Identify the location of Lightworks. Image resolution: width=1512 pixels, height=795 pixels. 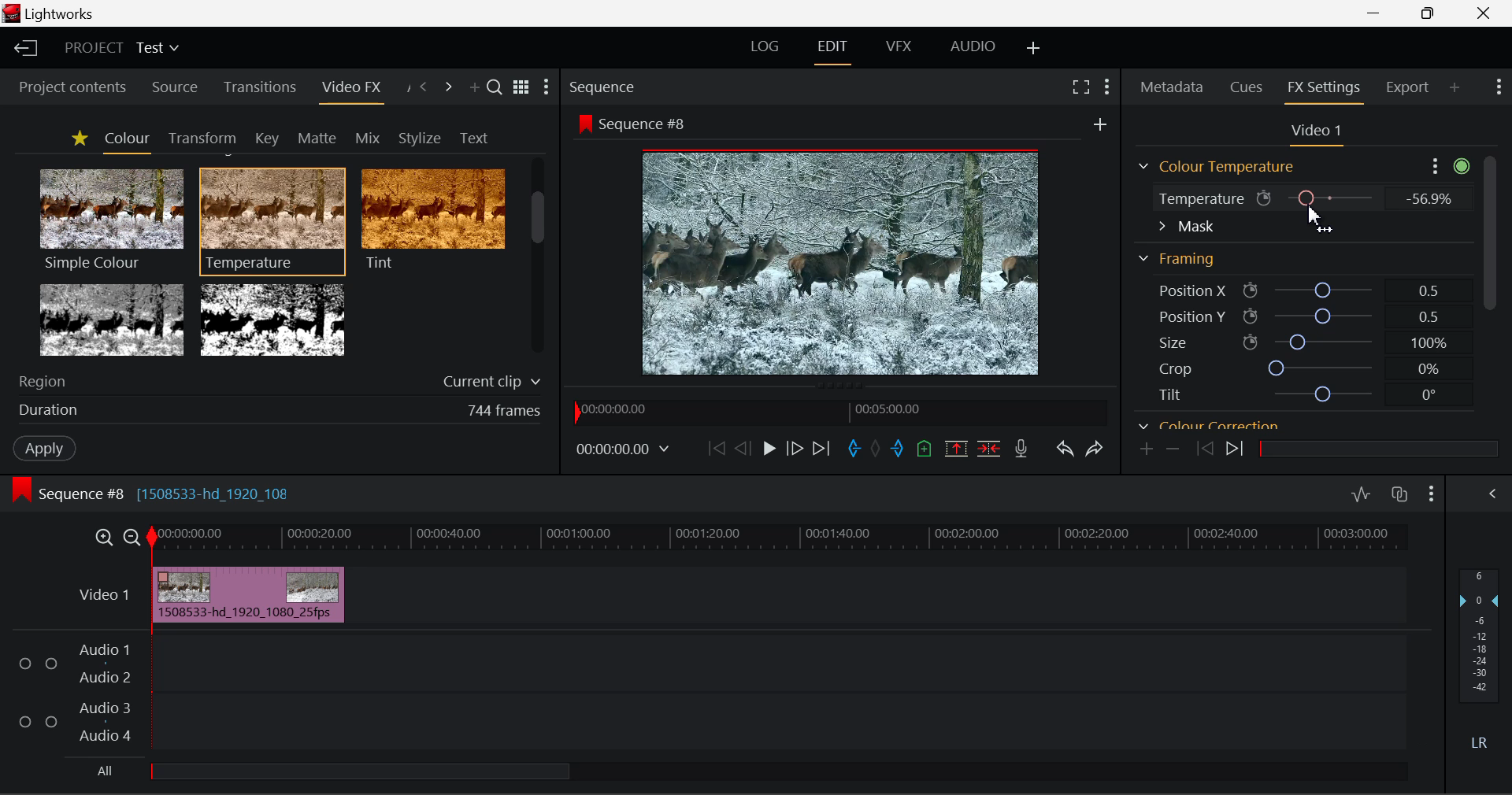
(63, 14).